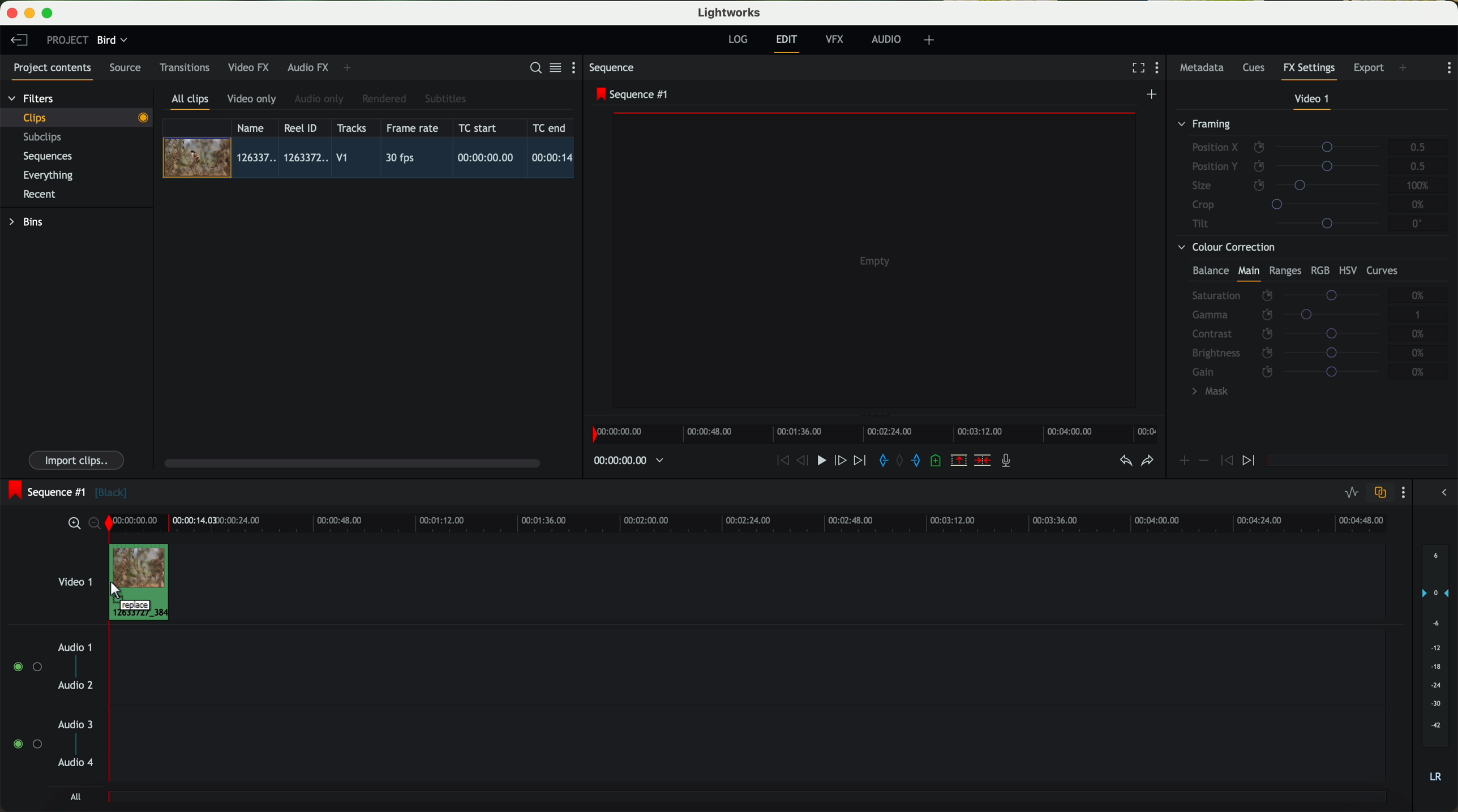 This screenshot has height=812, width=1458. I want to click on saturation, so click(1292, 295).